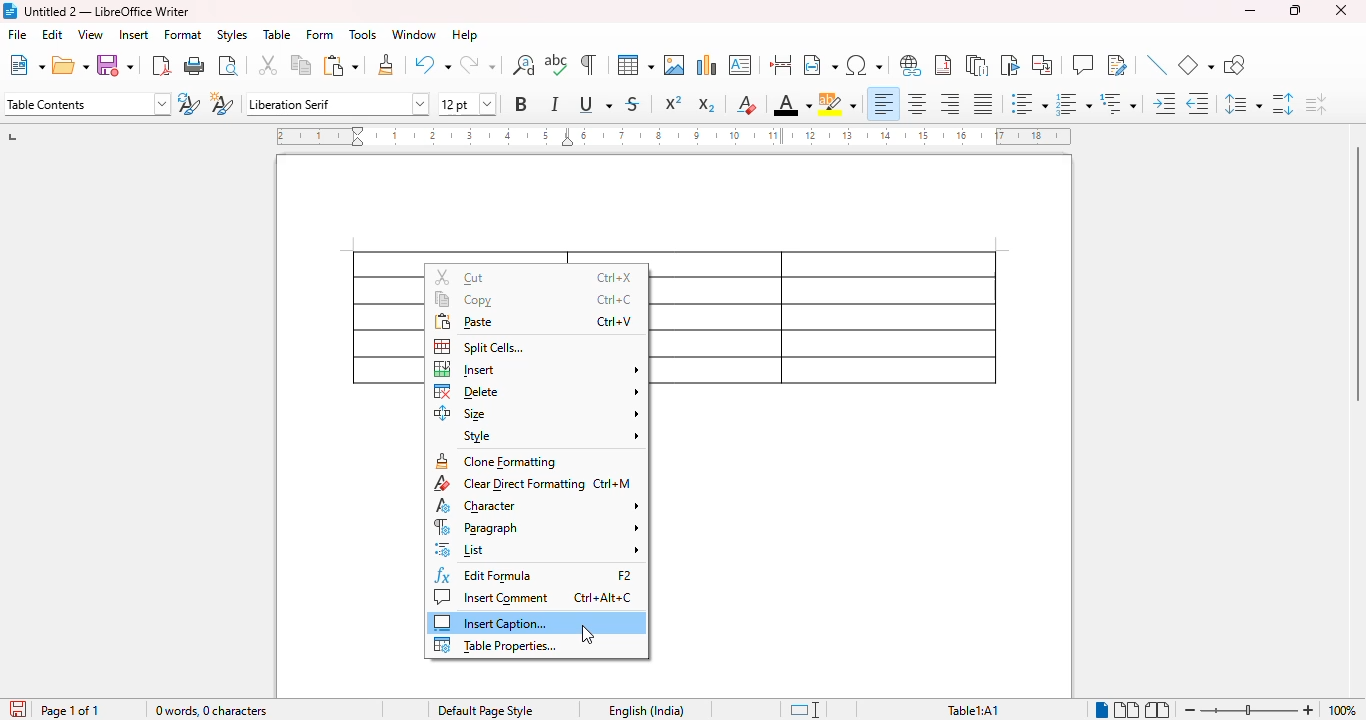  What do you see at coordinates (432, 64) in the screenshot?
I see `undo` at bounding box center [432, 64].